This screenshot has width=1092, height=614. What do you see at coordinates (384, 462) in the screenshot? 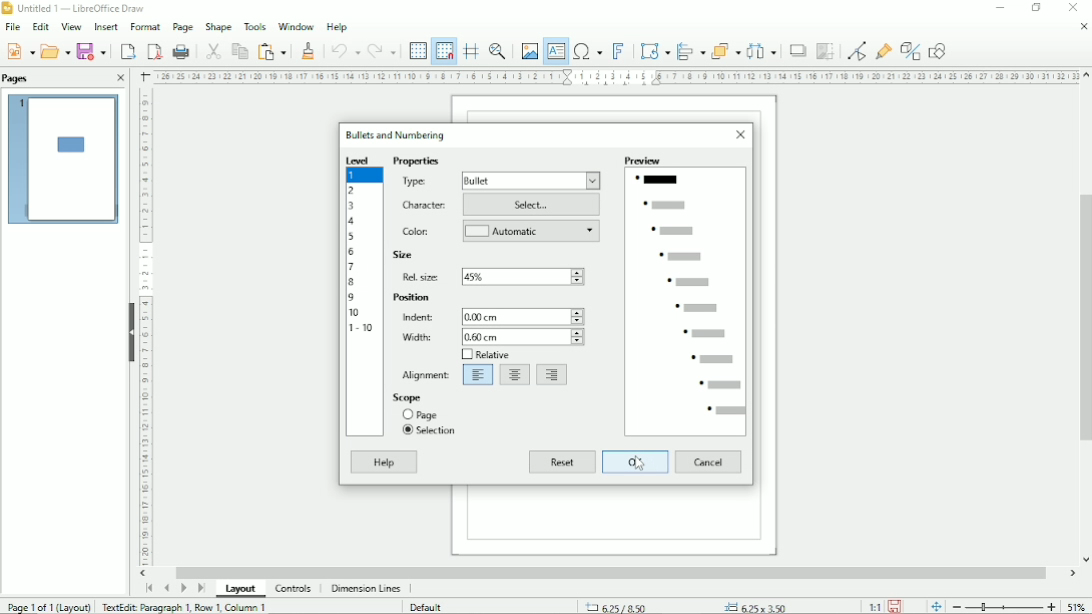
I see `Help` at bounding box center [384, 462].